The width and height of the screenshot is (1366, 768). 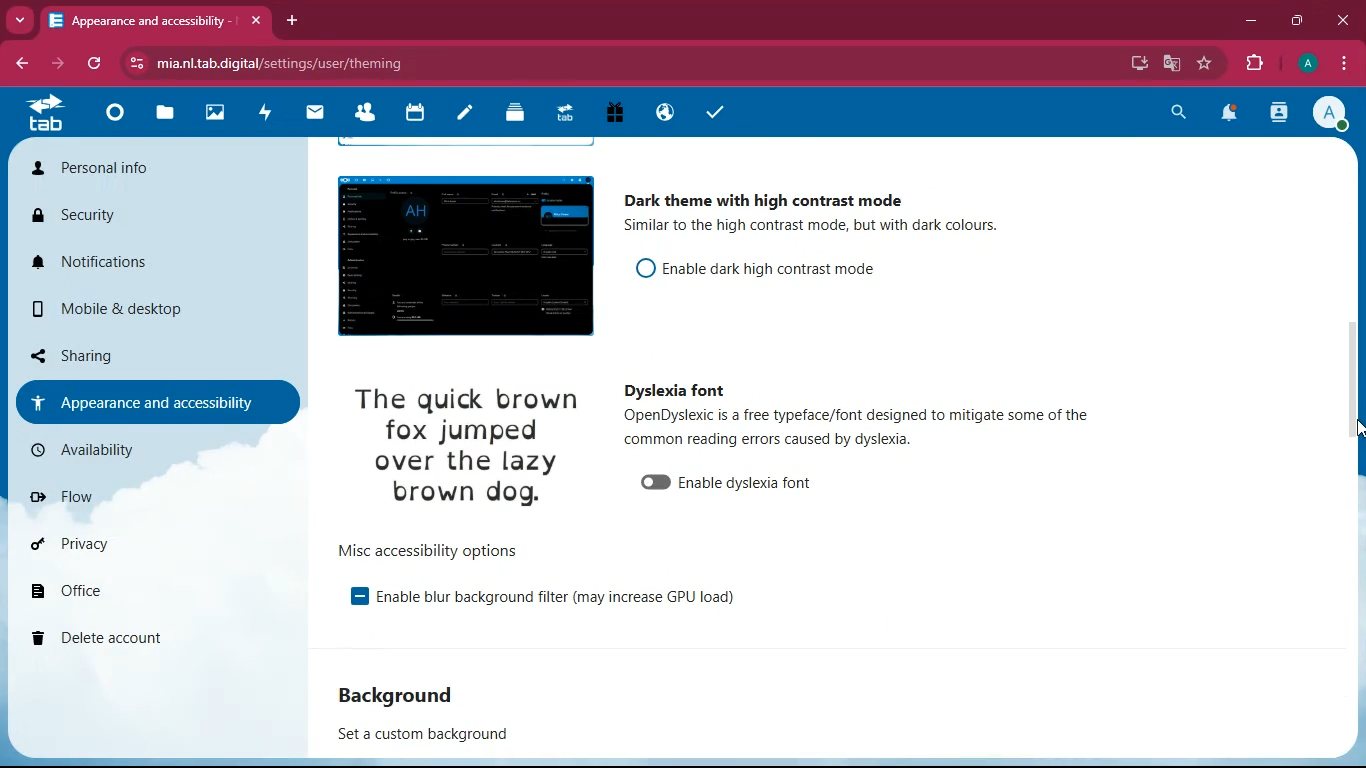 What do you see at coordinates (820, 228) in the screenshot?
I see `description` at bounding box center [820, 228].